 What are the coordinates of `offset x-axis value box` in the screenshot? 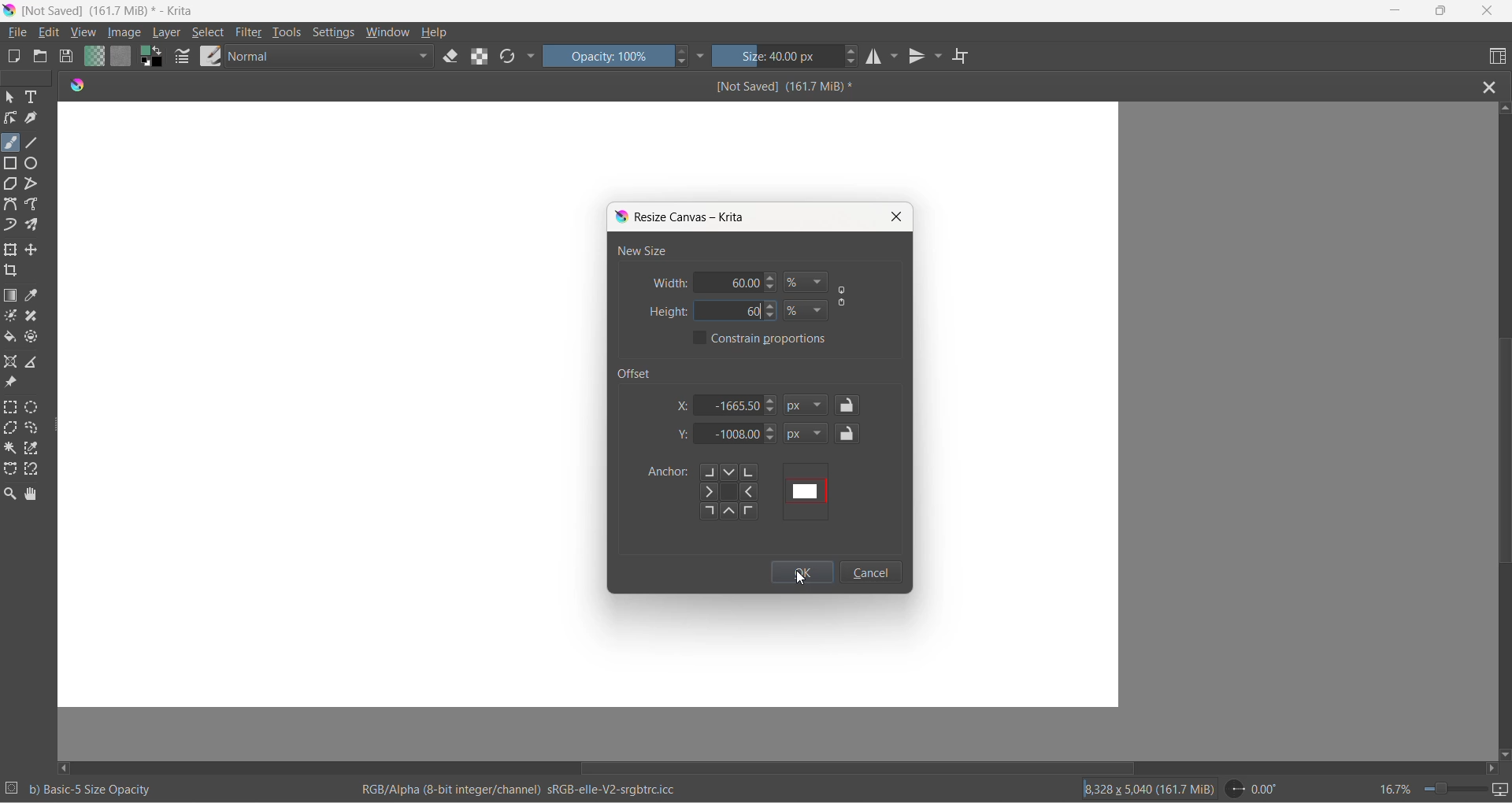 It's located at (731, 405).